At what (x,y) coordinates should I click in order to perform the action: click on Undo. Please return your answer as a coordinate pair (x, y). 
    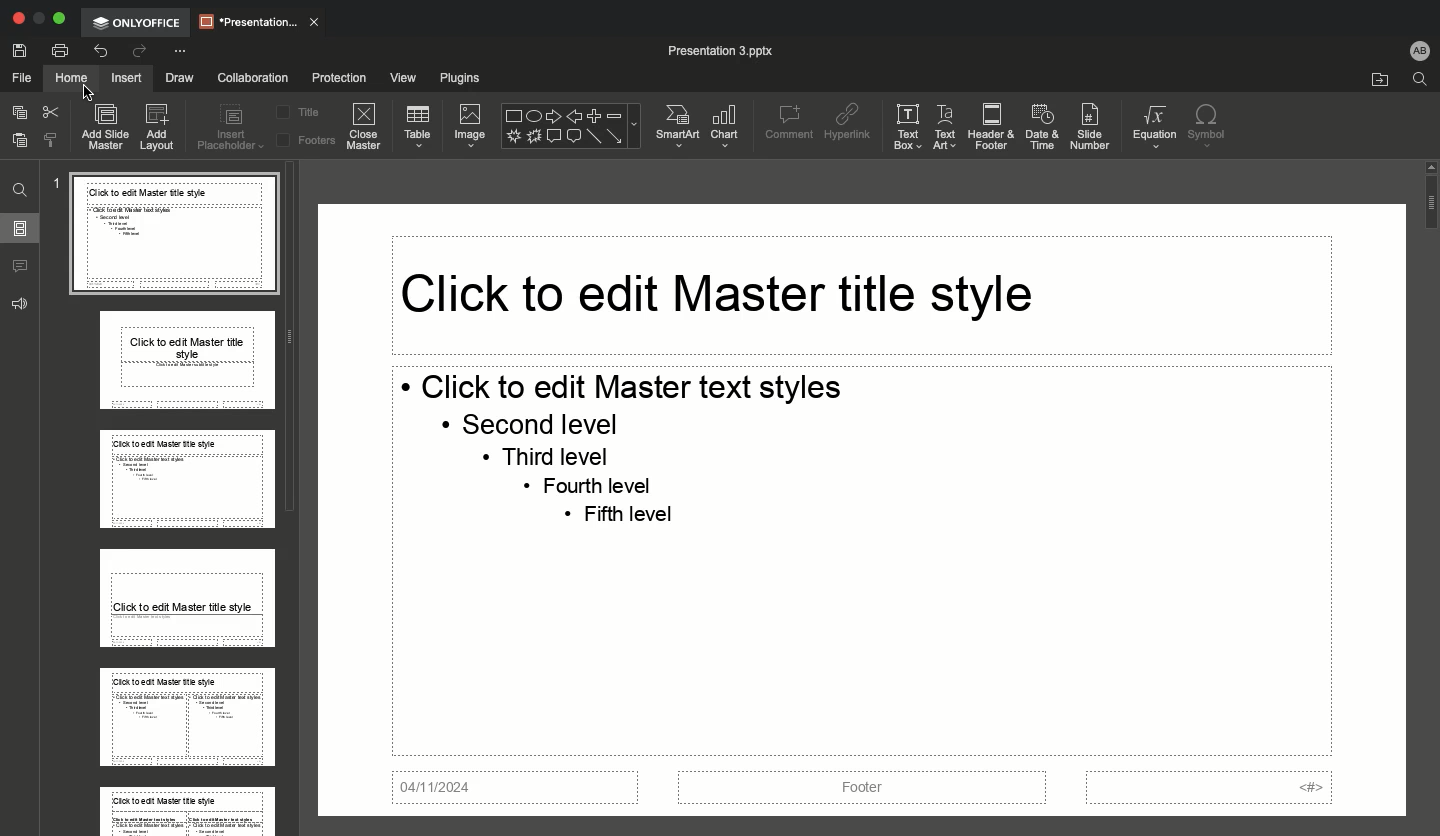
    Looking at the image, I should click on (102, 51).